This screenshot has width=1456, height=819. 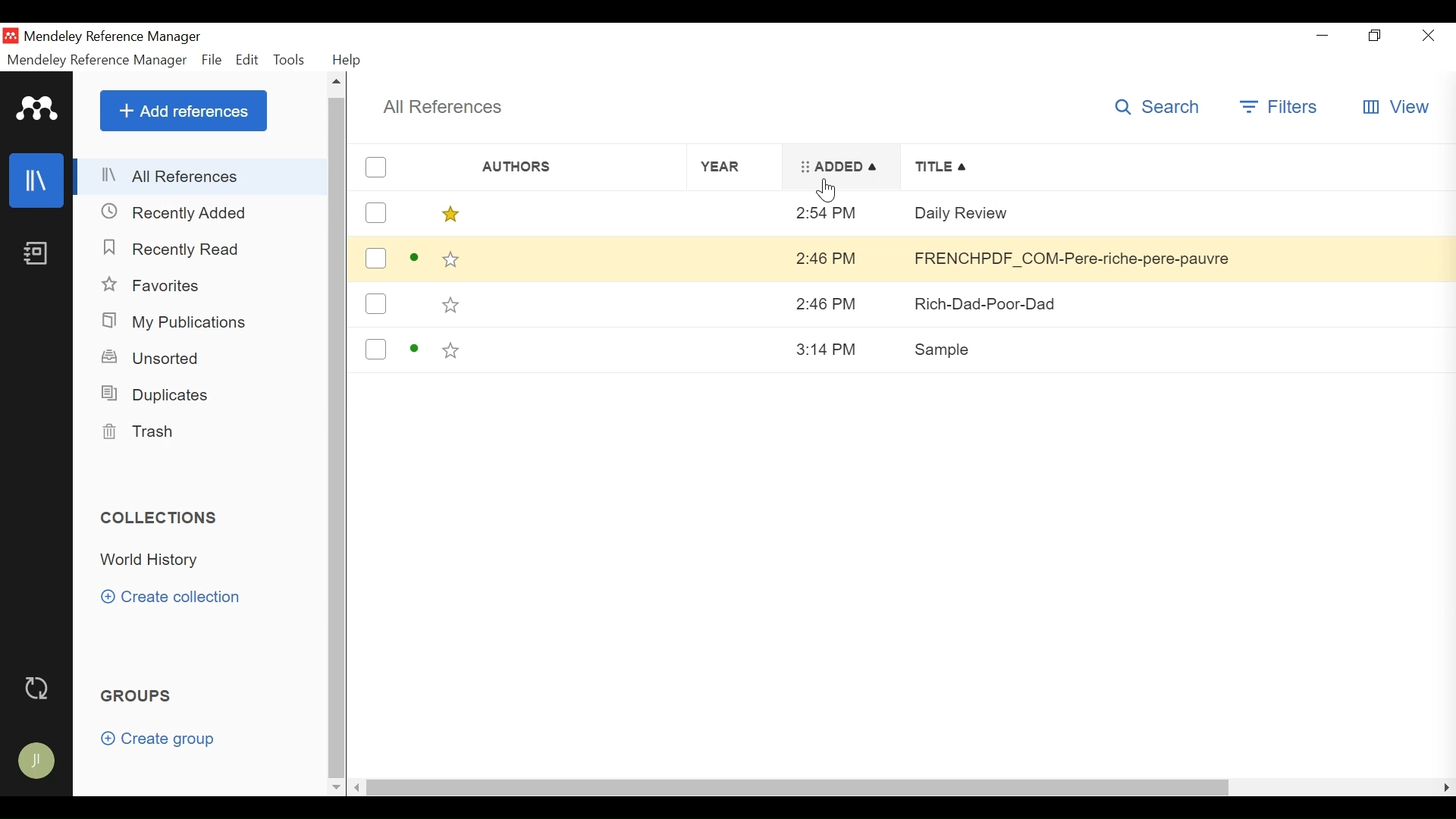 What do you see at coordinates (1373, 35) in the screenshot?
I see `Restore` at bounding box center [1373, 35].